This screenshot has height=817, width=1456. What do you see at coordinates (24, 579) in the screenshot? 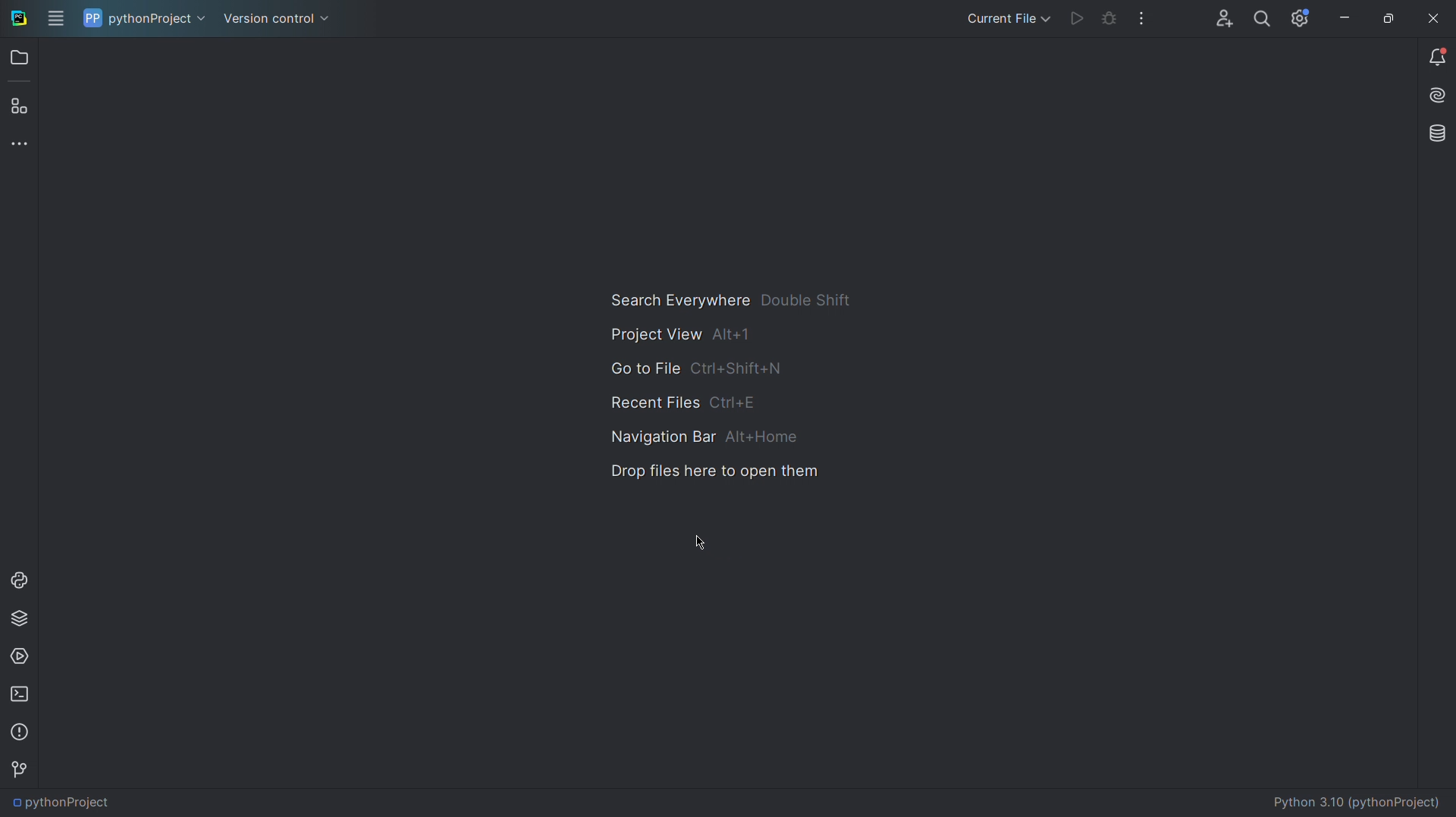
I see `Python console` at bounding box center [24, 579].